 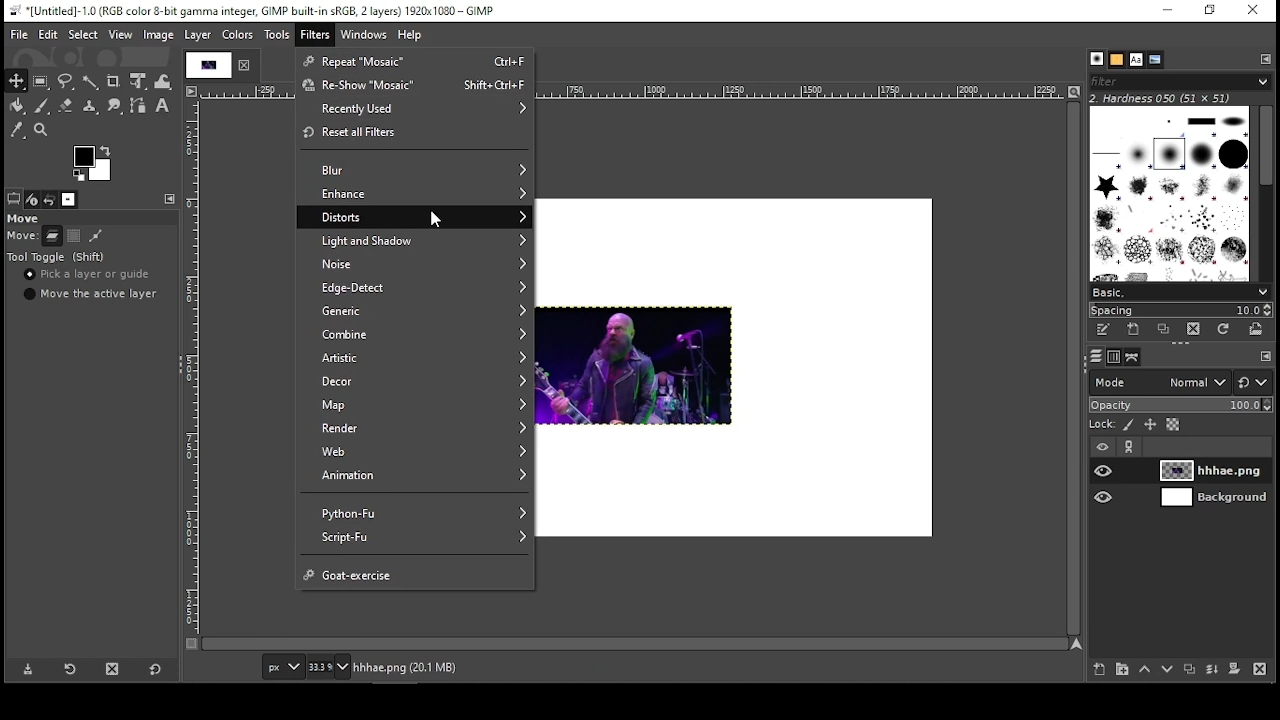 I want to click on images, so click(x=69, y=200).